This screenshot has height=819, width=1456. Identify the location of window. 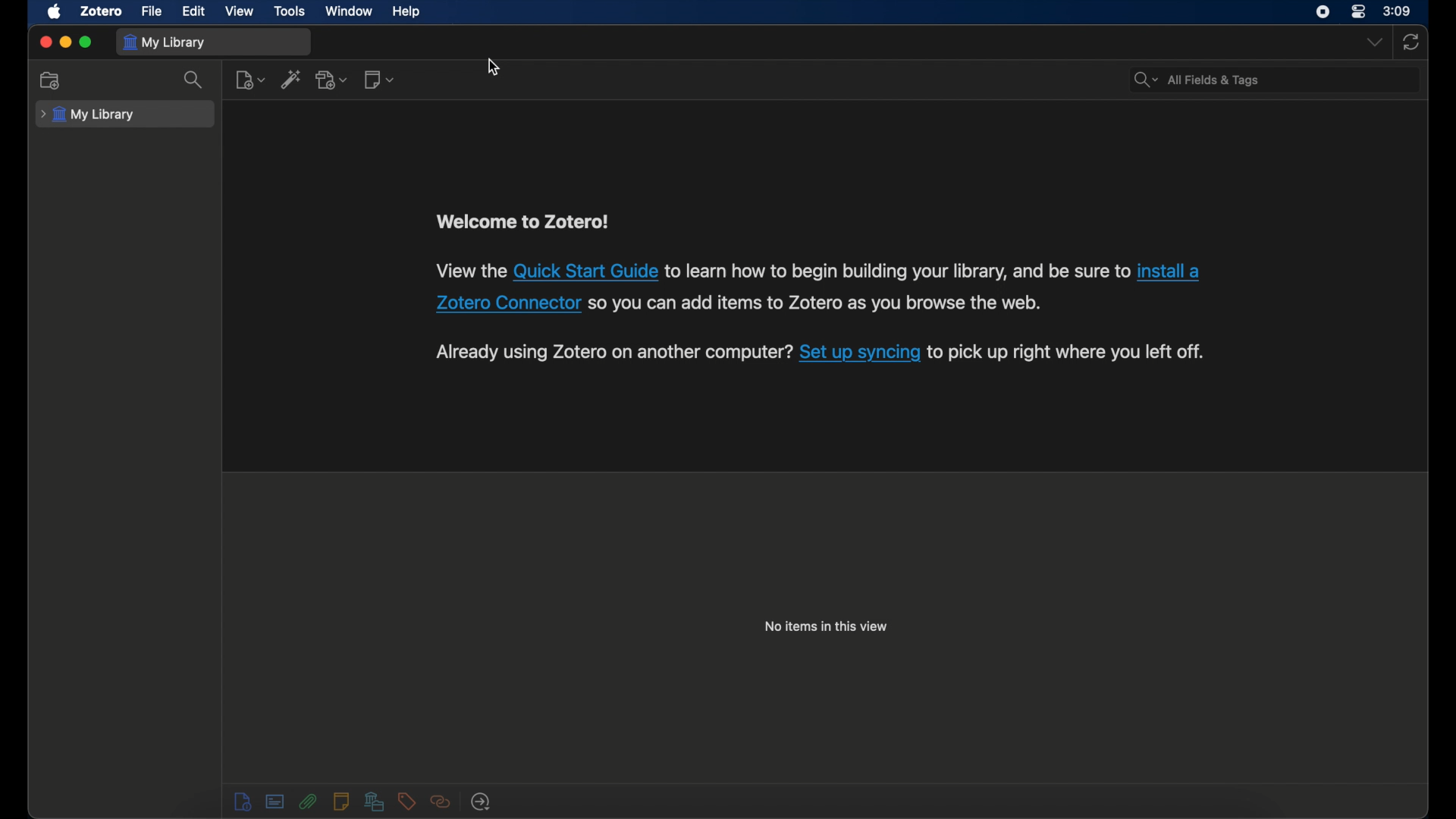
(349, 11).